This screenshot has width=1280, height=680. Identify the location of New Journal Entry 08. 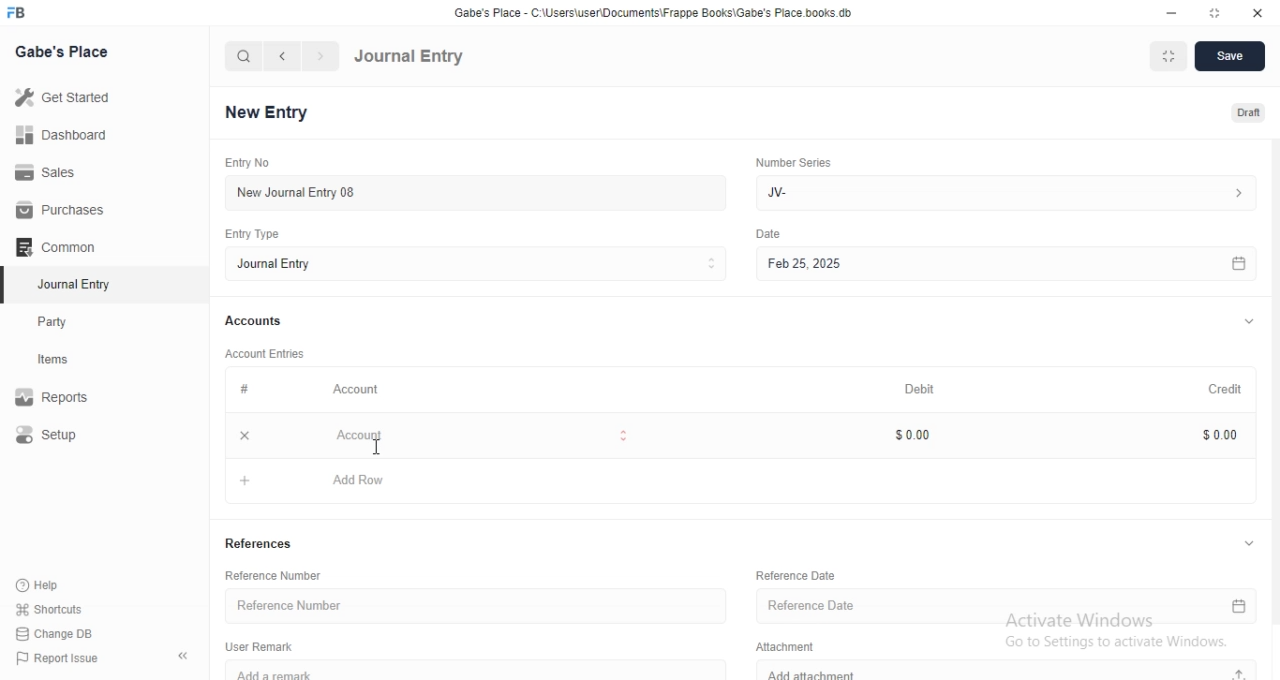
(470, 192).